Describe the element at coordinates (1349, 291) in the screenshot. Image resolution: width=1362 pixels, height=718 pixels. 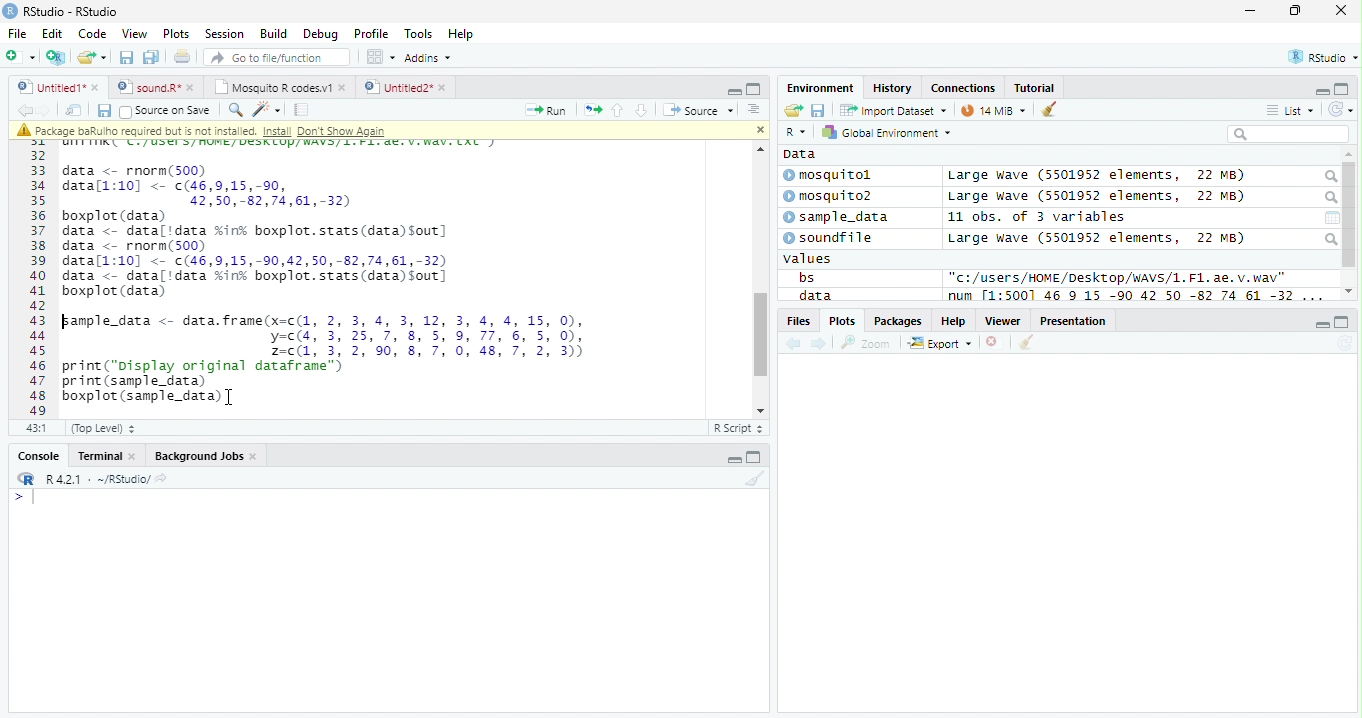
I see `scroll down` at that location.